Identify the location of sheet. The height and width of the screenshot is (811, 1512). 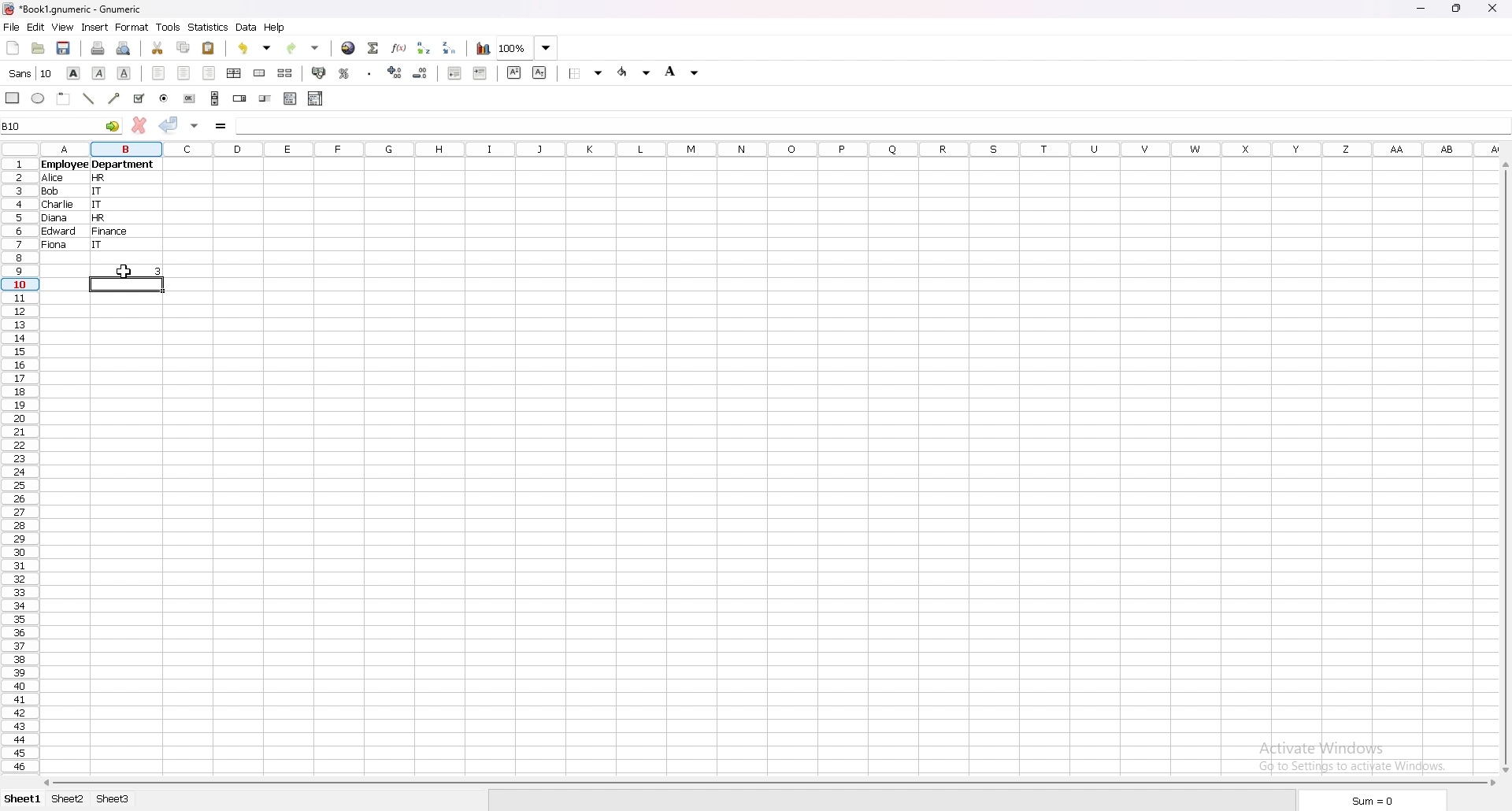
(22, 799).